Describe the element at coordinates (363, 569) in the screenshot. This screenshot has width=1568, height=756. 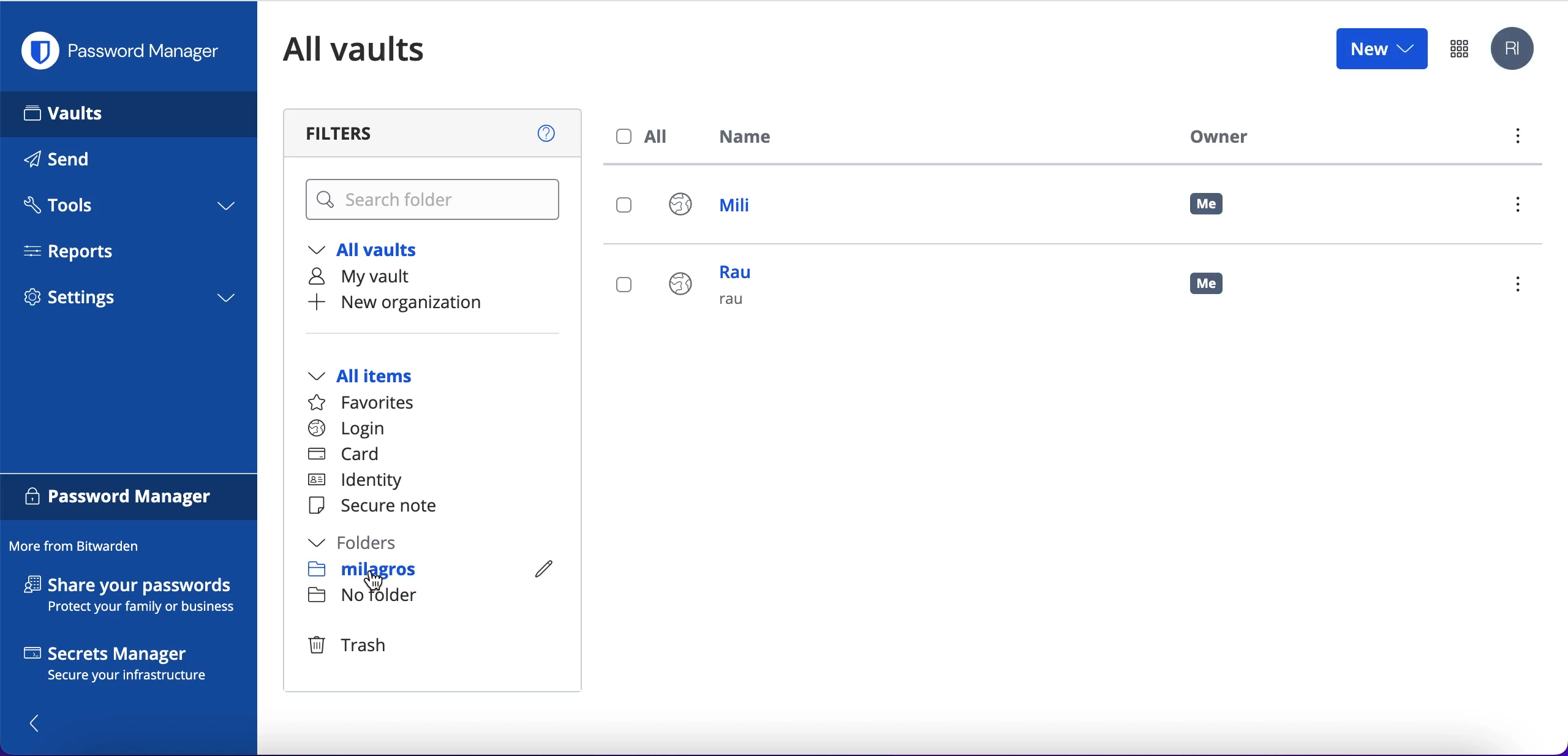
I see `no folder` at that location.